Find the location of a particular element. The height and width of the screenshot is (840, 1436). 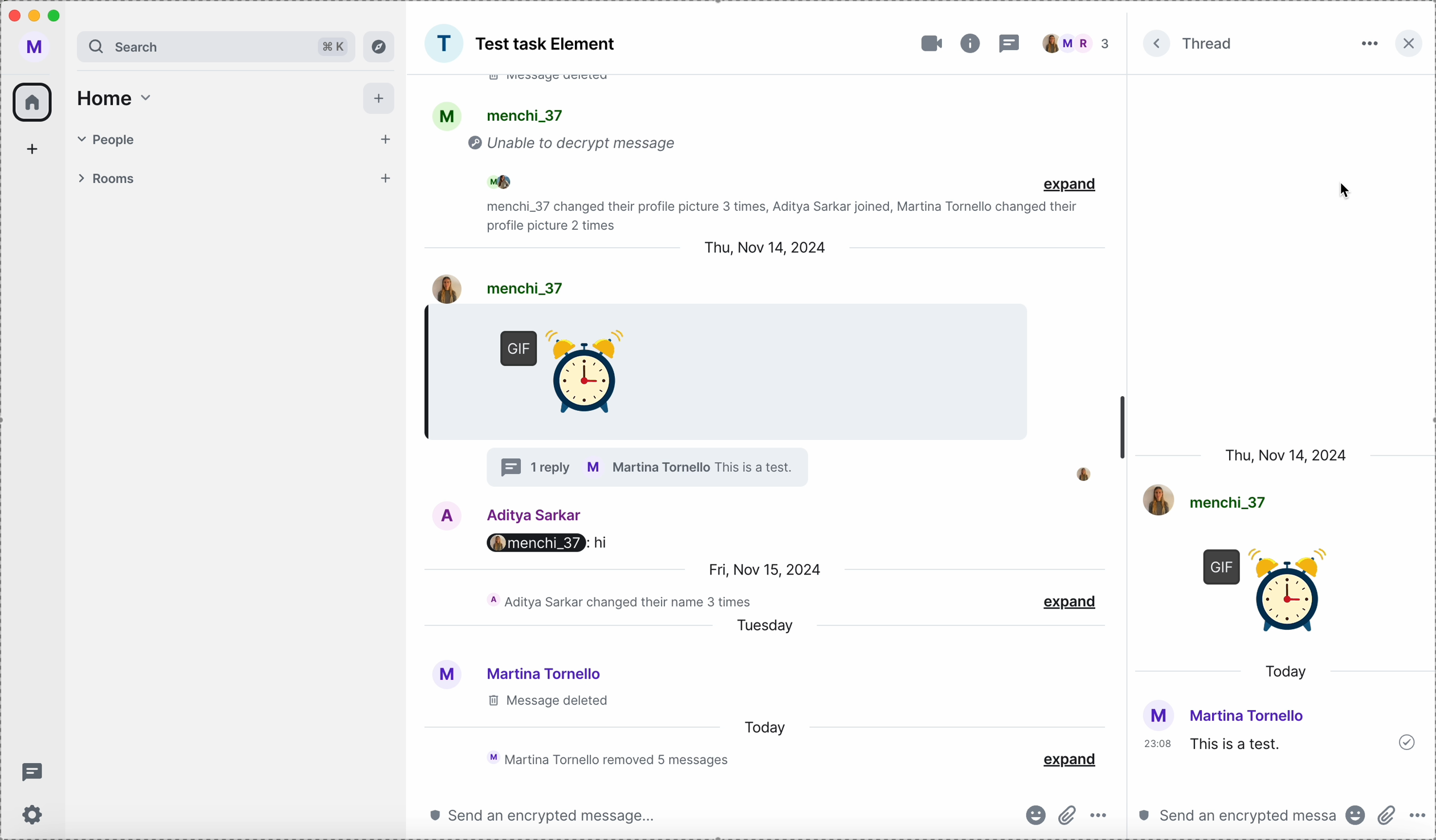

GIF sended is located at coordinates (566, 374).